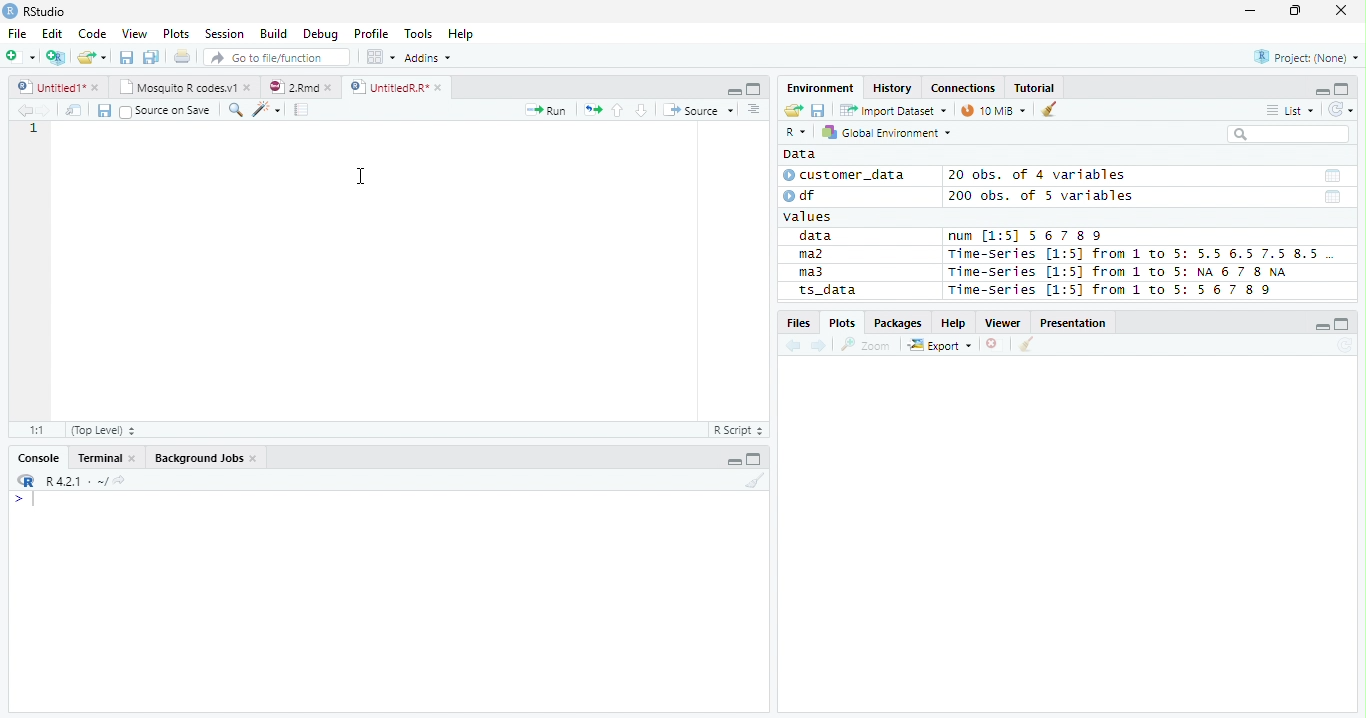  What do you see at coordinates (1126, 273) in the screenshot?
I see `Time-series [1:5] from 1 to 5: NA 6 7 8 NA` at bounding box center [1126, 273].